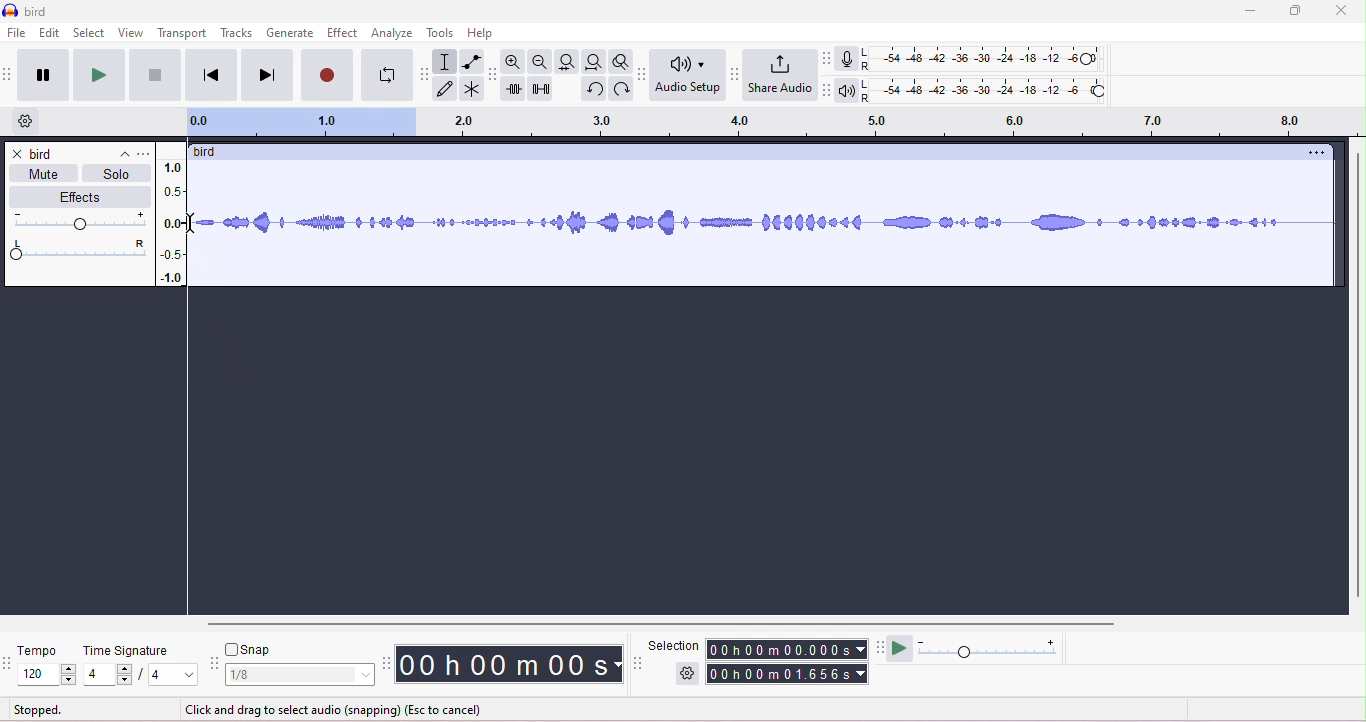 The height and width of the screenshot is (722, 1366). What do you see at coordinates (207, 155) in the screenshot?
I see `track title` at bounding box center [207, 155].